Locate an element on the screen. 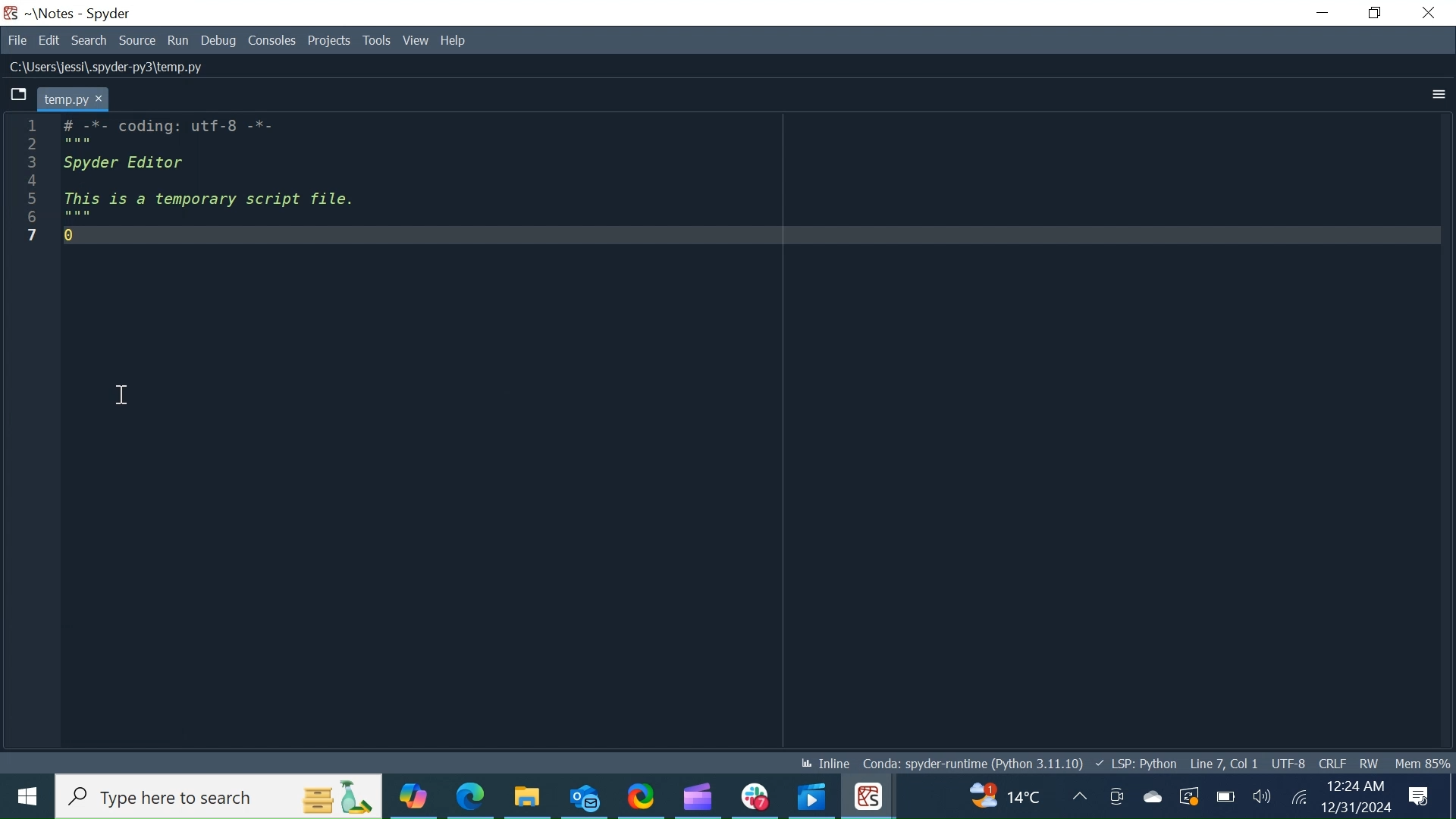  Record is located at coordinates (1079, 795).